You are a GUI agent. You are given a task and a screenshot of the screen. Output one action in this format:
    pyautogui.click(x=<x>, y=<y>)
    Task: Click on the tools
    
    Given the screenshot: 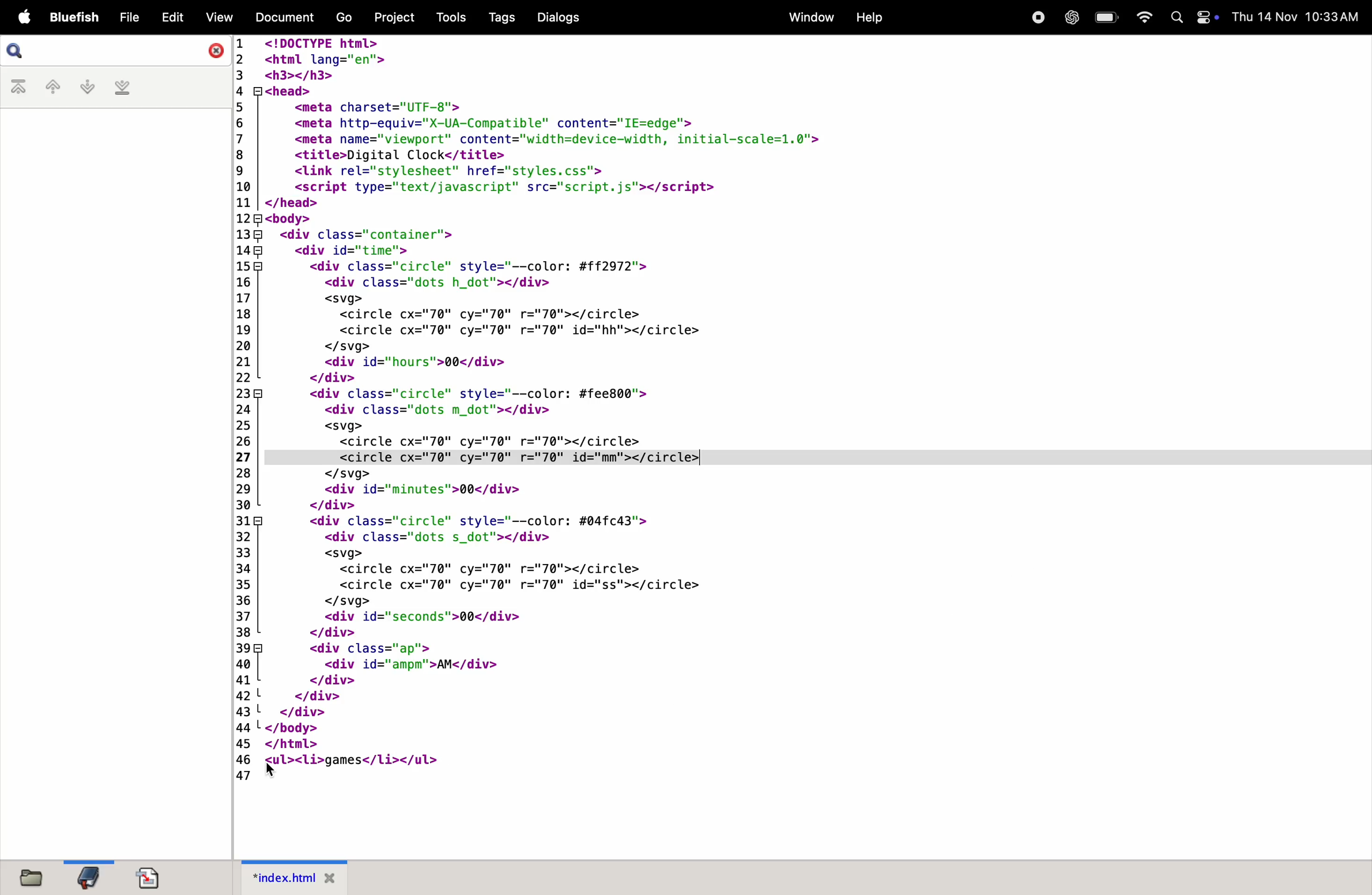 What is the action you would take?
    pyautogui.click(x=446, y=16)
    